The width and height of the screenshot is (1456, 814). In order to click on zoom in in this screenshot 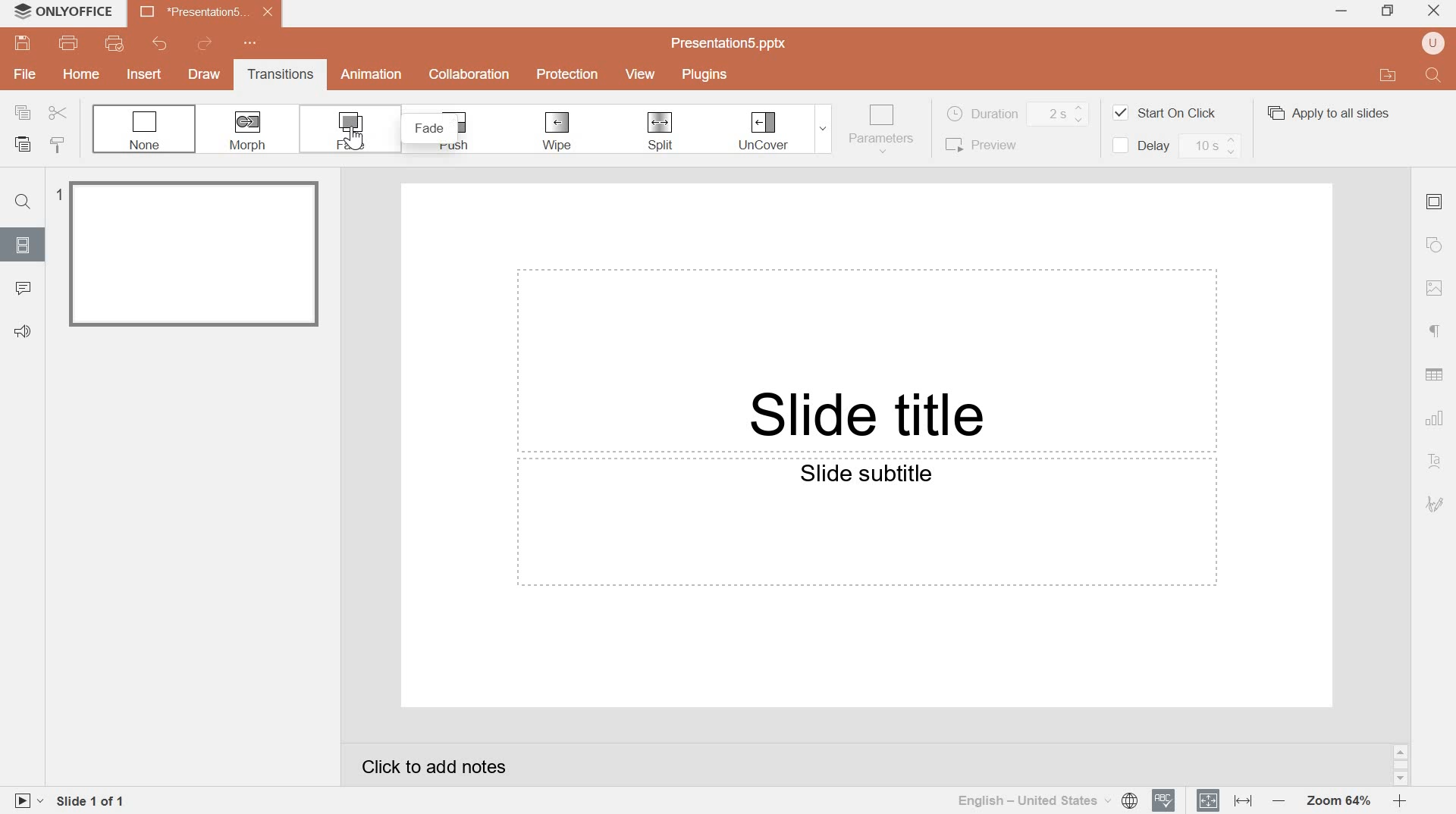, I will do `click(1399, 800)`.